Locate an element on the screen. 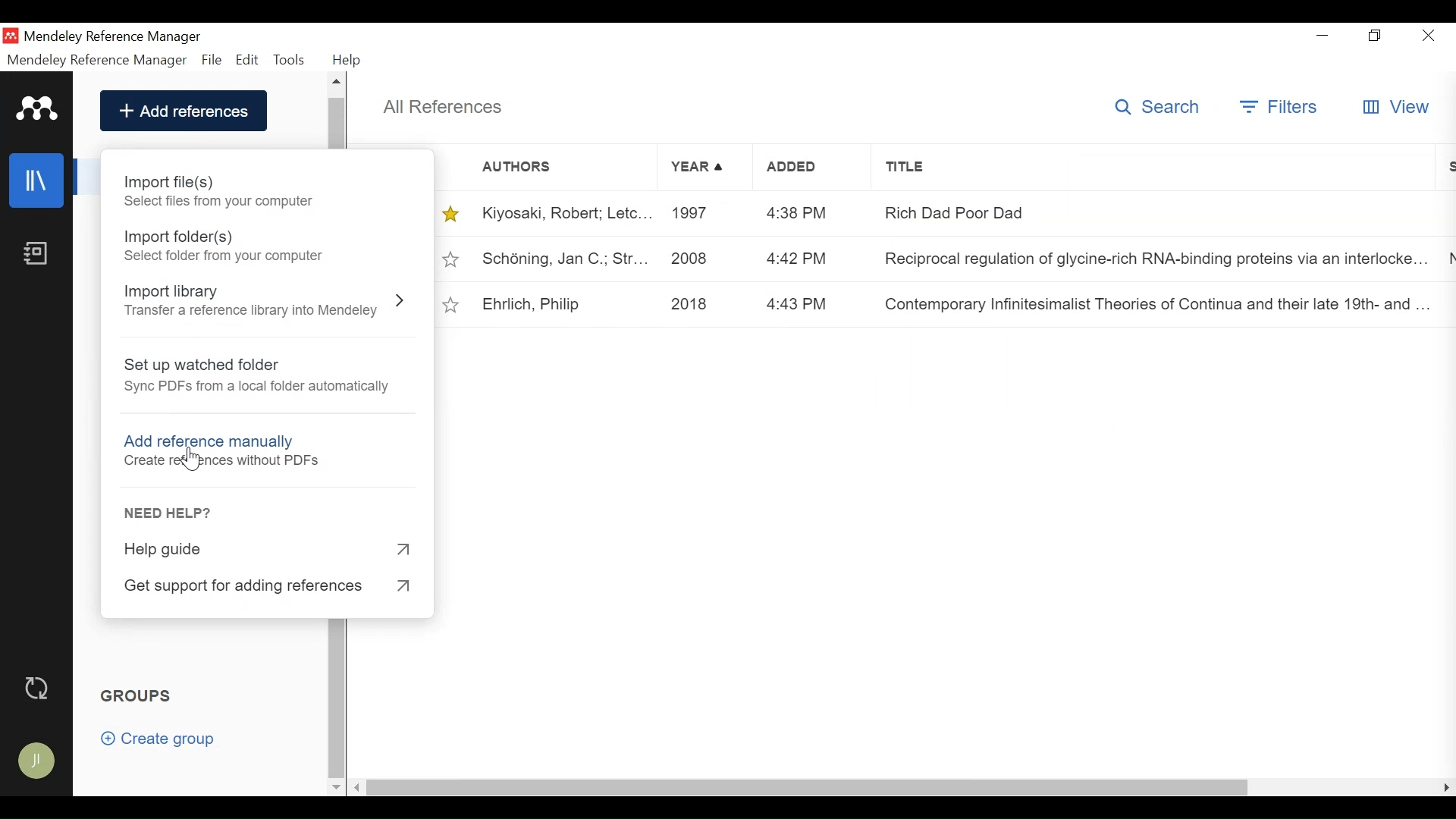 This screenshot has height=819, width=1456. Help is located at coordinates (347, 60).